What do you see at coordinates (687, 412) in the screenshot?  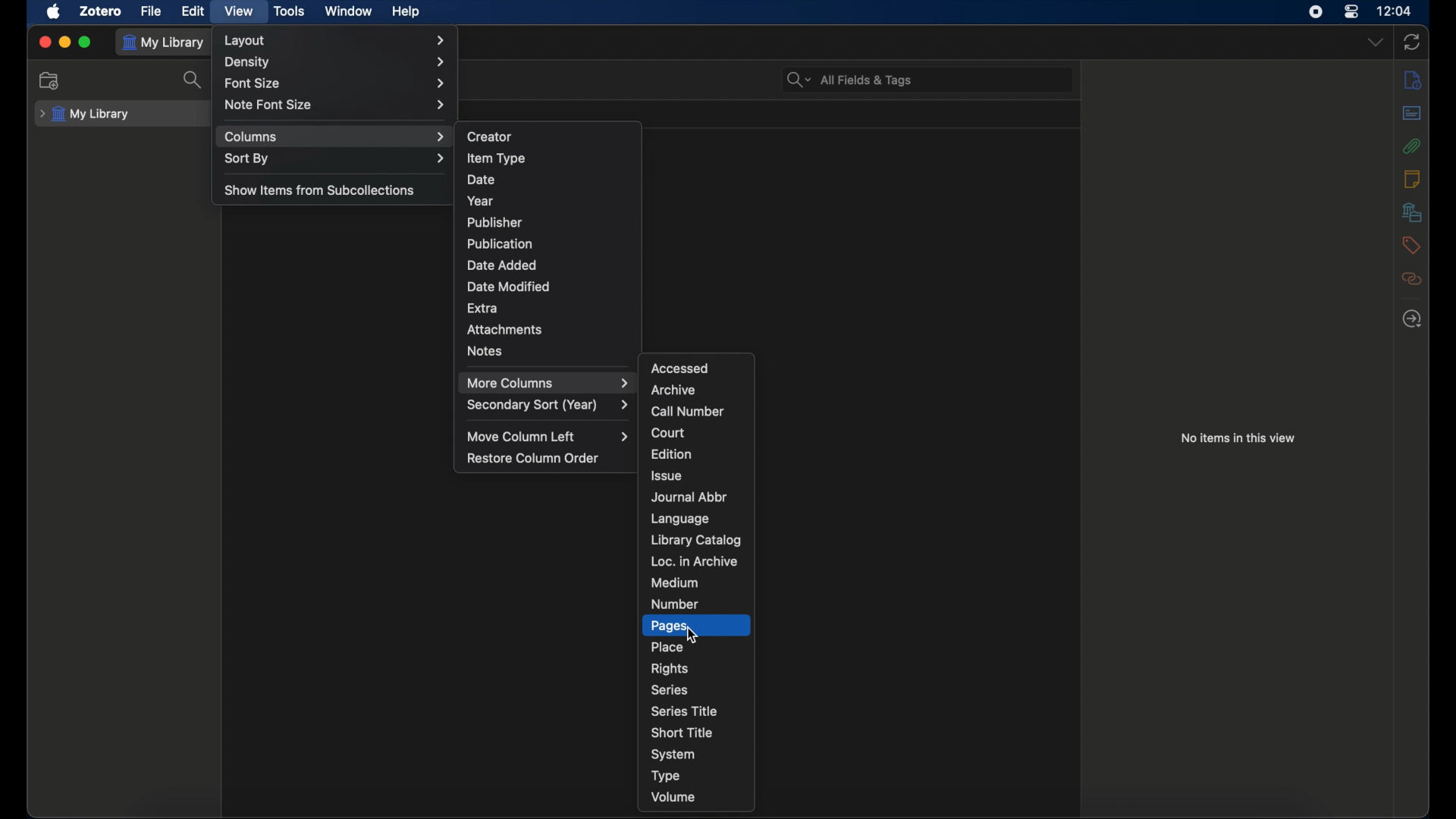 I see `call number` at bounding box center [687, 412].